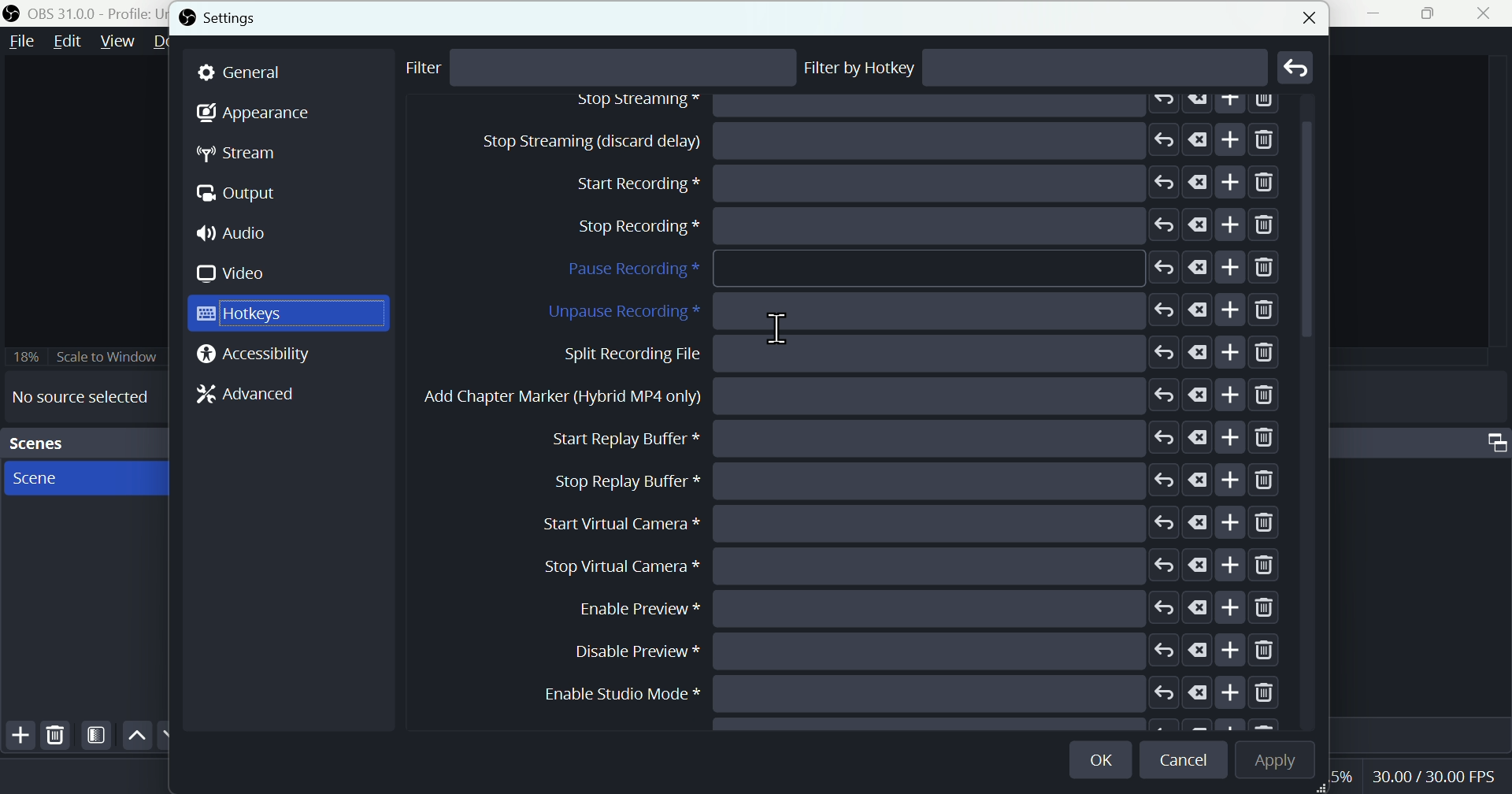 The image size is (1512, 794). I want to click on Delete, so click(56, 735).